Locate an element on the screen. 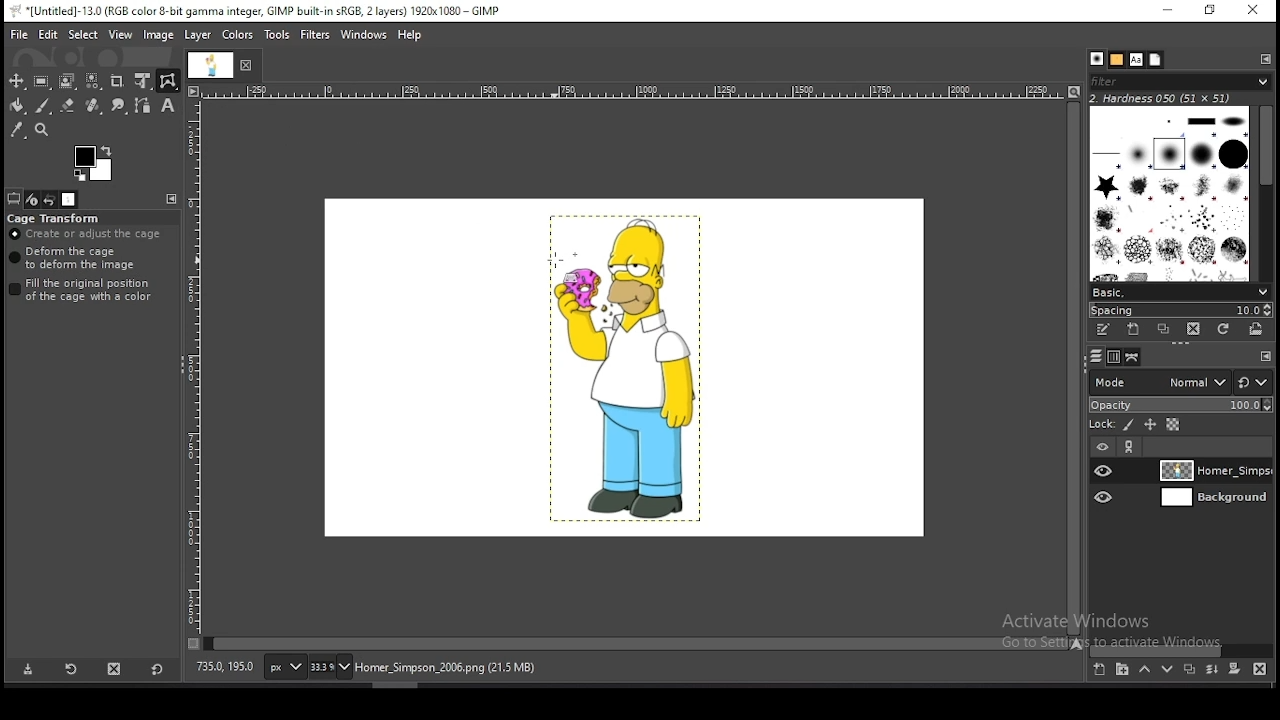 This screenshot has width=1280, height=720. move layer one step up is located at coordinates (1145, 672).